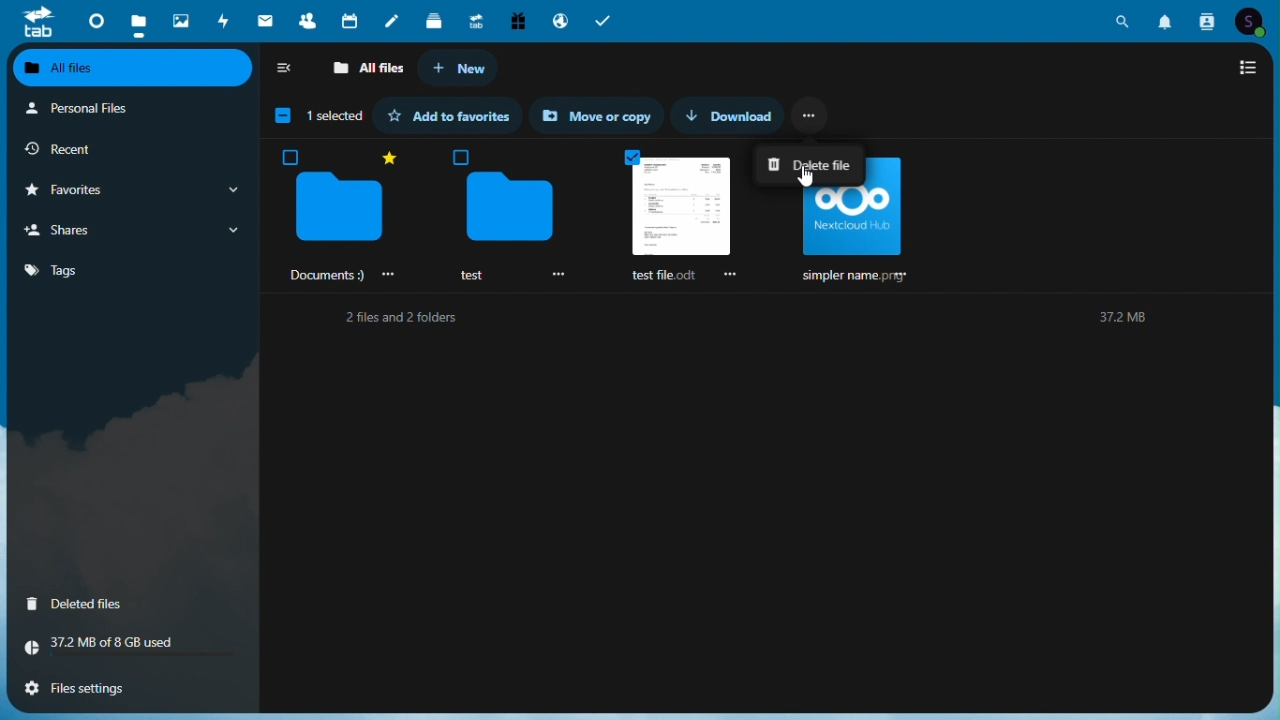 The width and height of the screenshot is (1280, 720). What do you see at coordinates (94, 21) in the screenshot?
I see `Dashboard` at bounding box center [94, 21].